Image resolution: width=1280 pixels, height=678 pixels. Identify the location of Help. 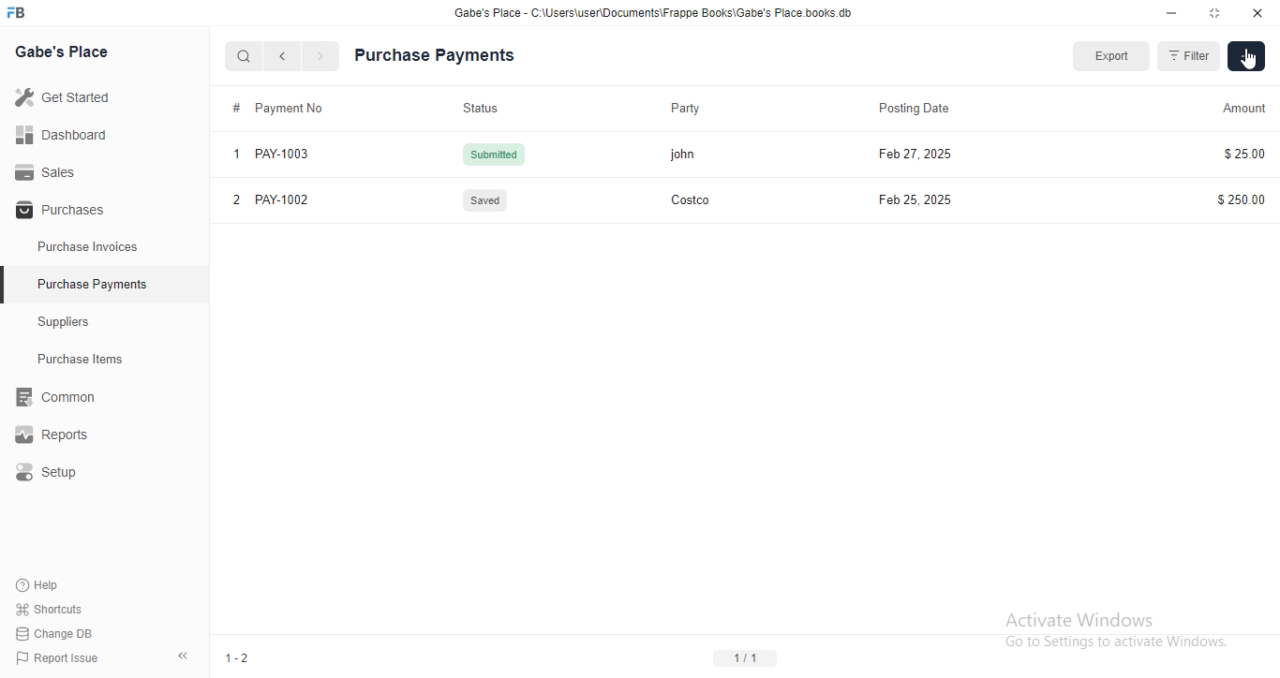
(40, 586).